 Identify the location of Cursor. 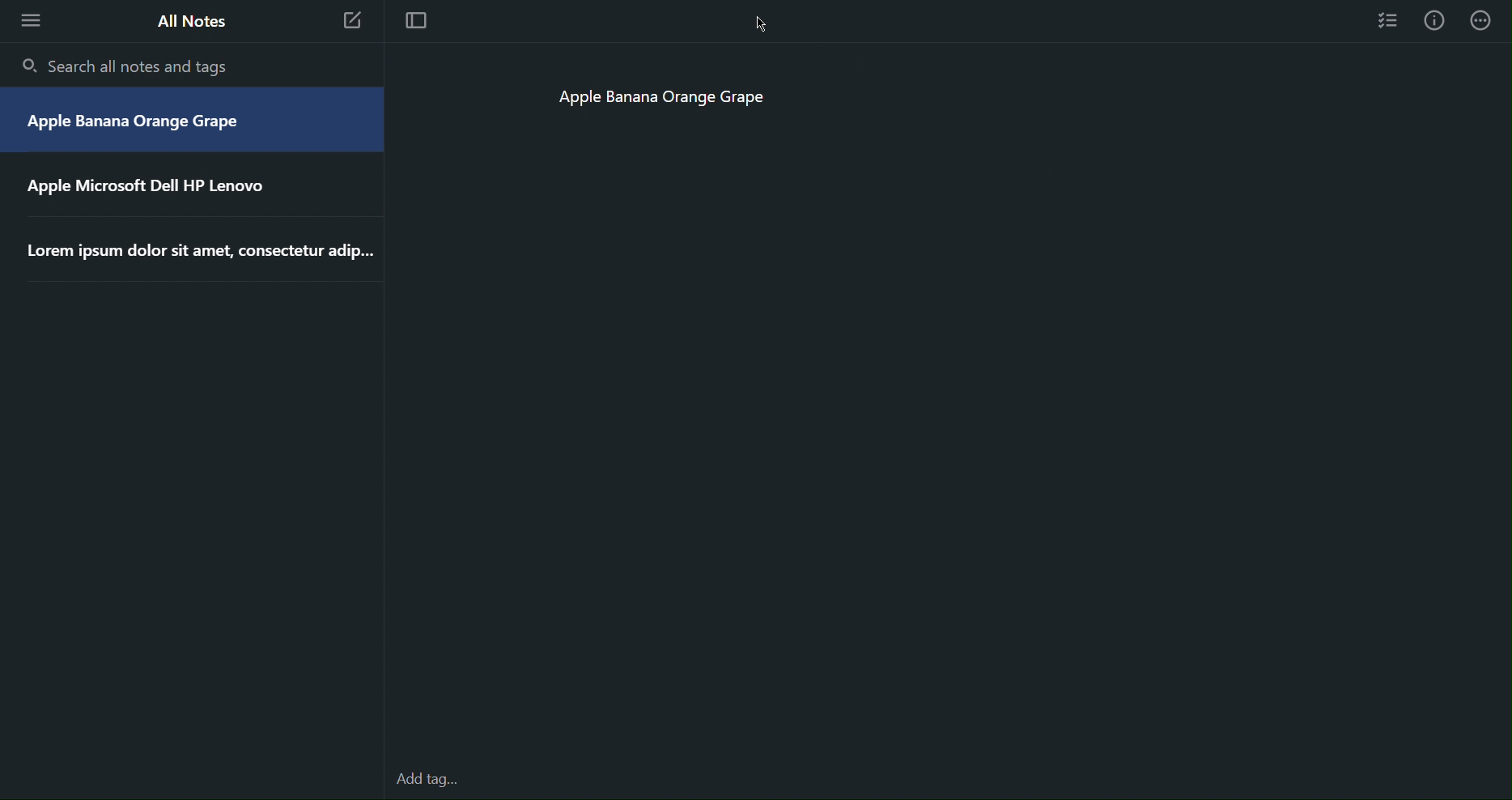
(760, 21).